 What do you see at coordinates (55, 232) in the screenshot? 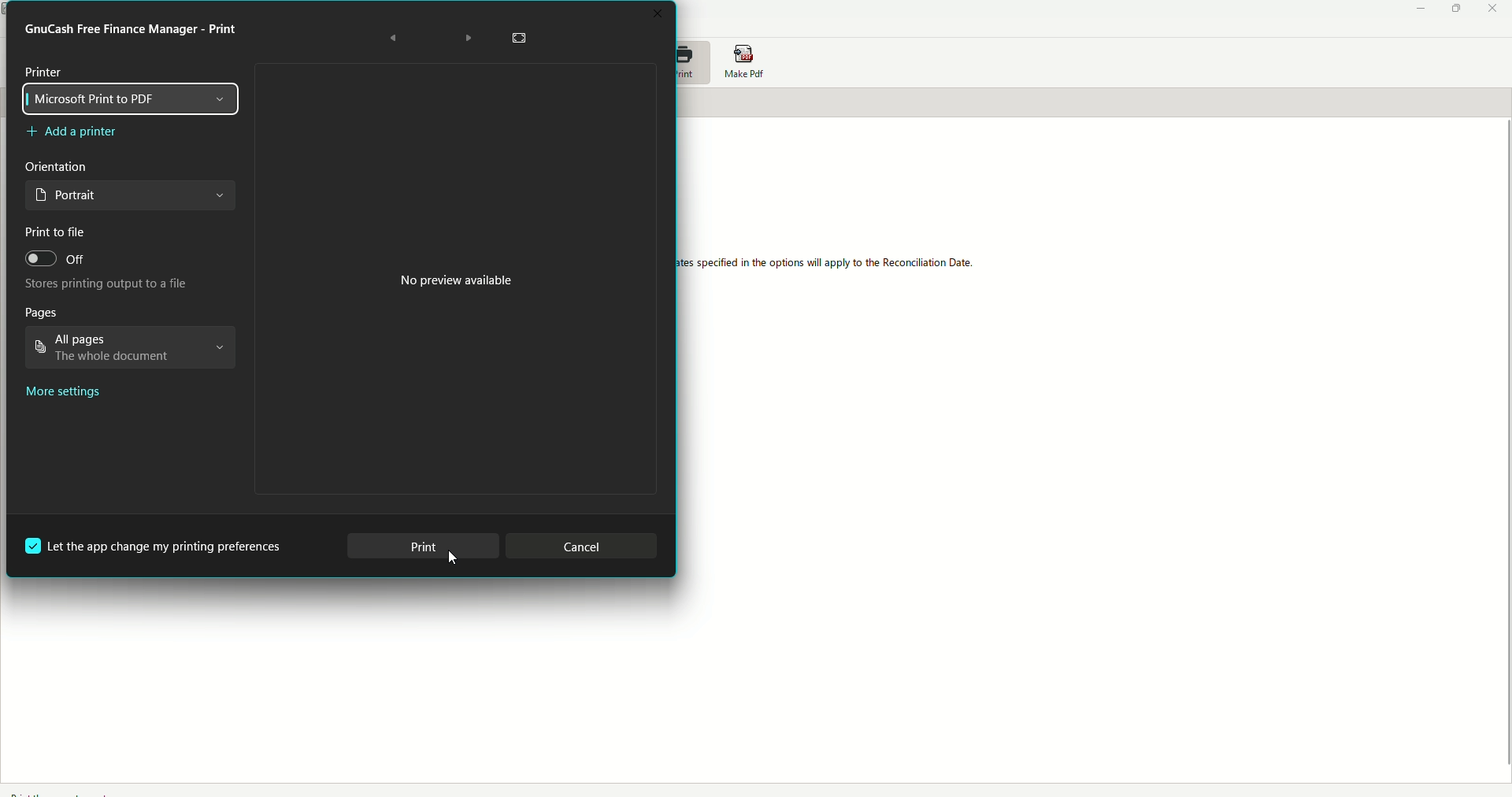
I see `Print to file` at bounding box center [55, 232].